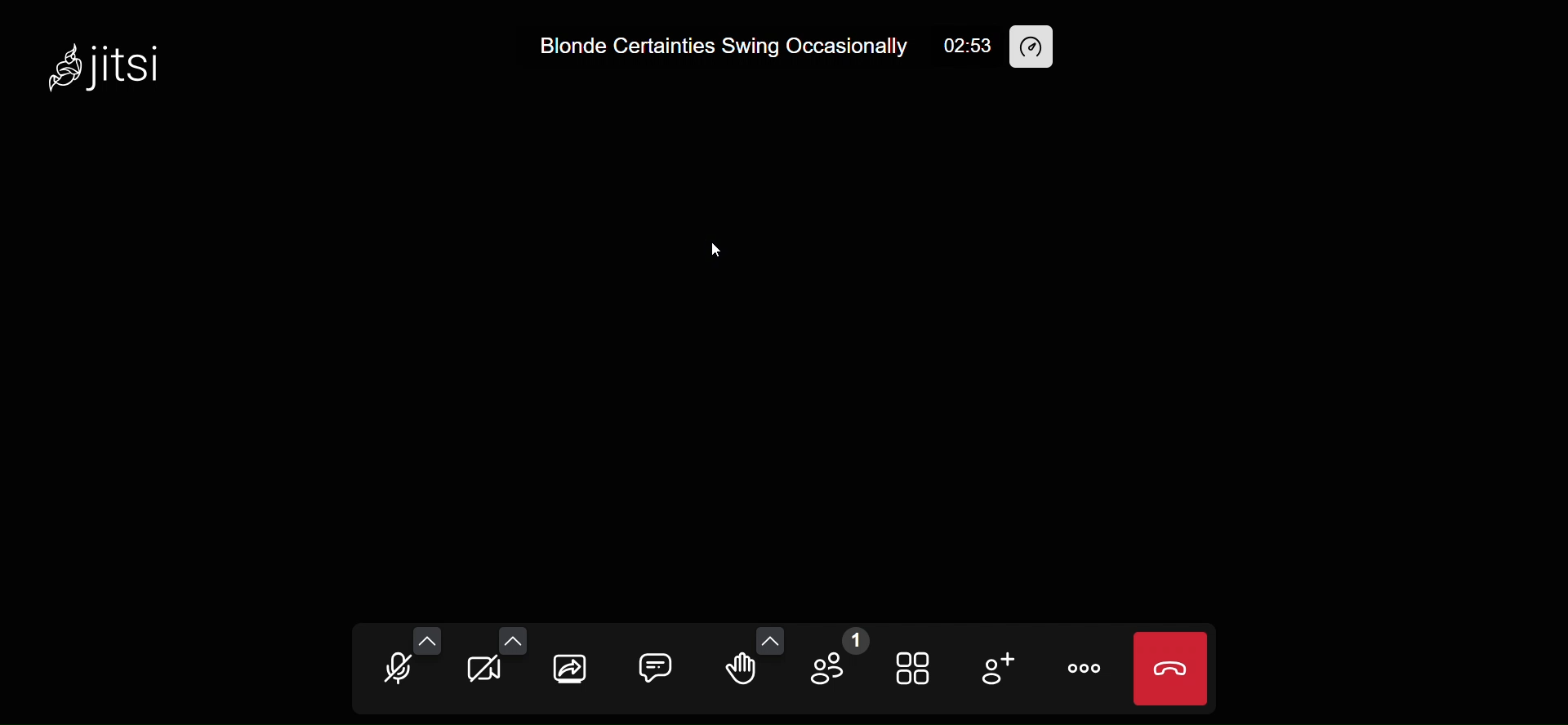 Image resolution: width=1568 pixels, height=725 pixels. Describe the element at coordinates (428, 640) in the screenshot. I see `more audio option` at that location.